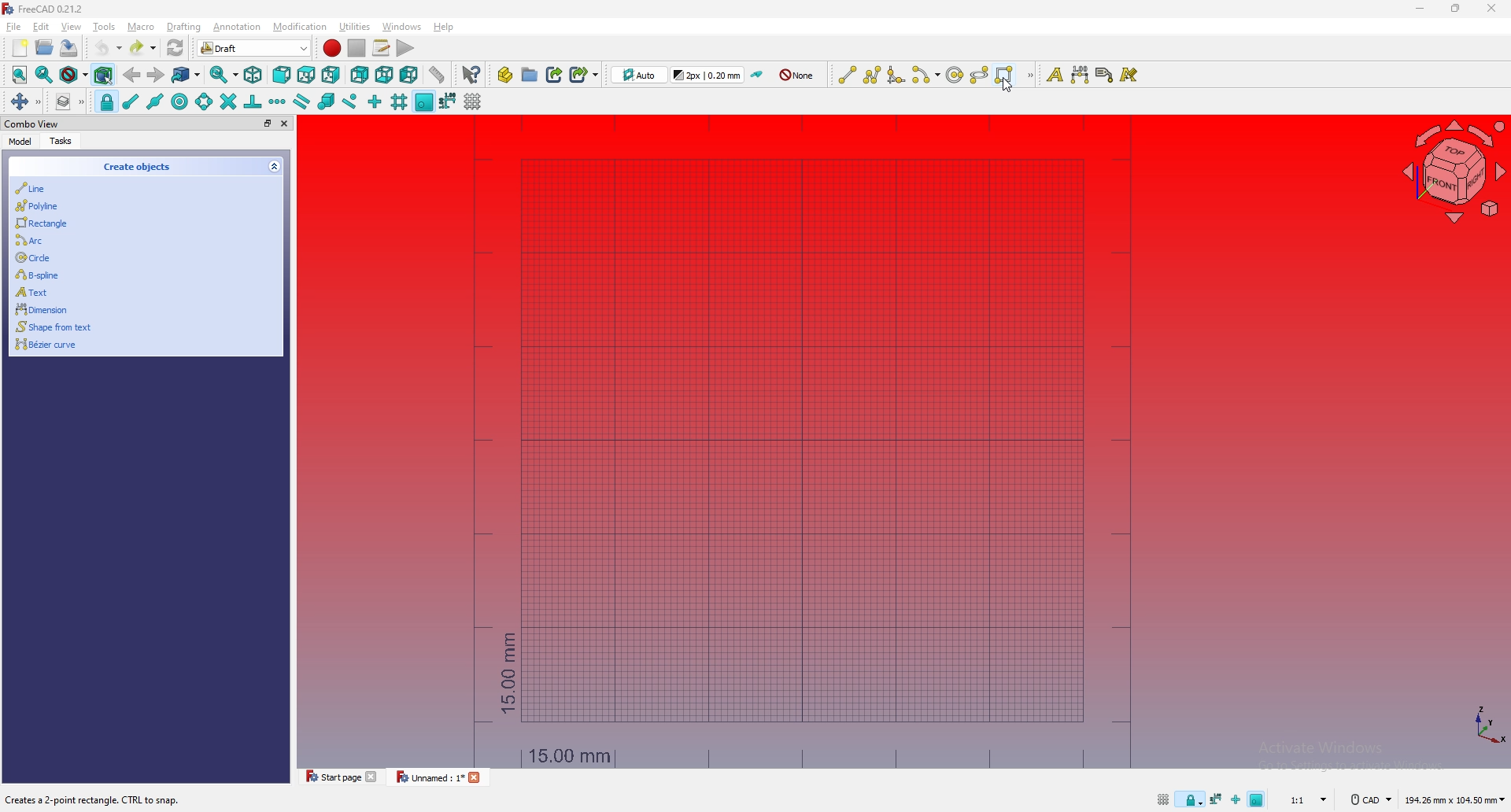  What do you see at coordinates (69, 101) in the screenshot?
I see `manage layers` at bounding box center [69, 101].